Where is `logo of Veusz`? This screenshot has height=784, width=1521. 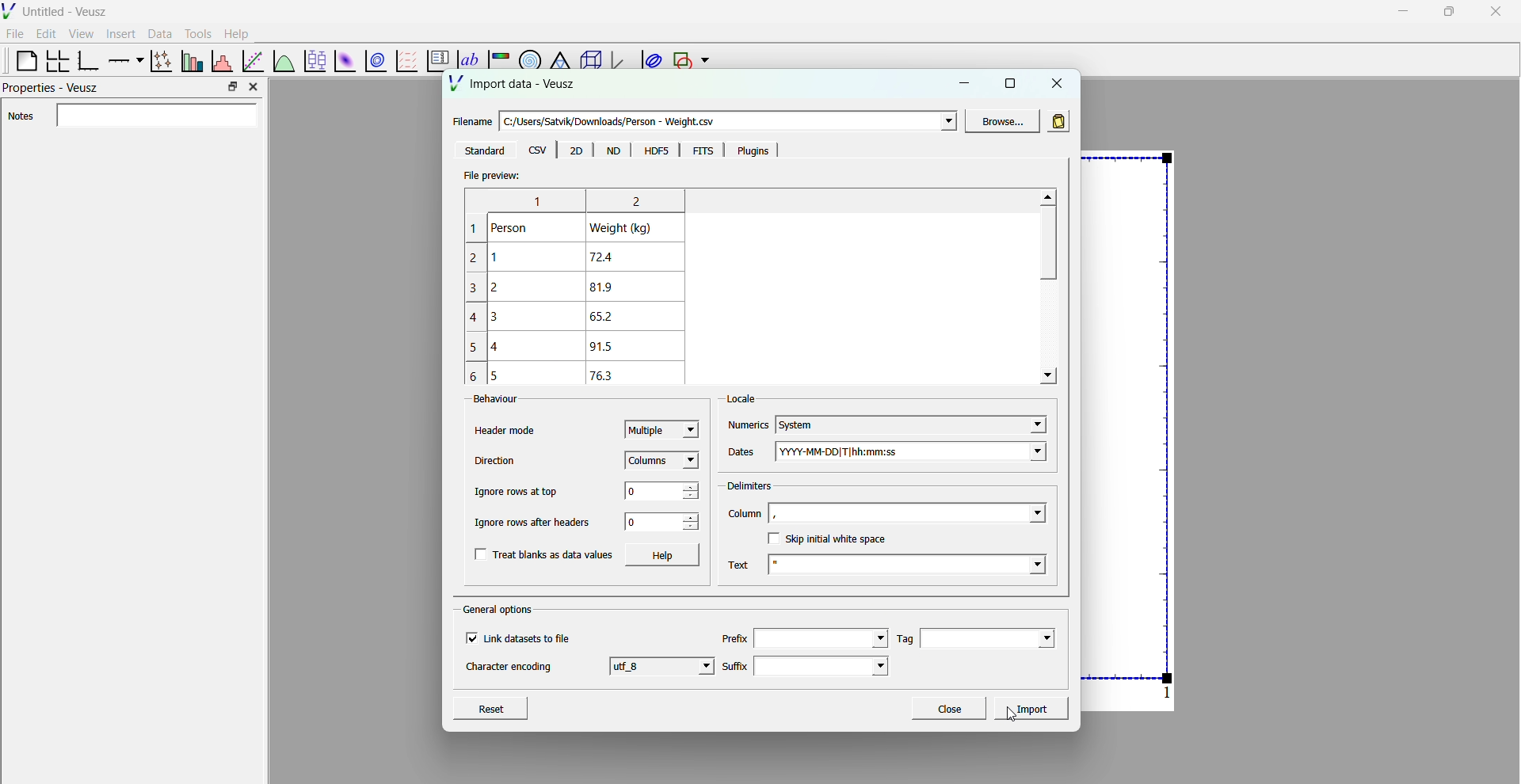
logo of Veusz is located at coordinates (10, 10).